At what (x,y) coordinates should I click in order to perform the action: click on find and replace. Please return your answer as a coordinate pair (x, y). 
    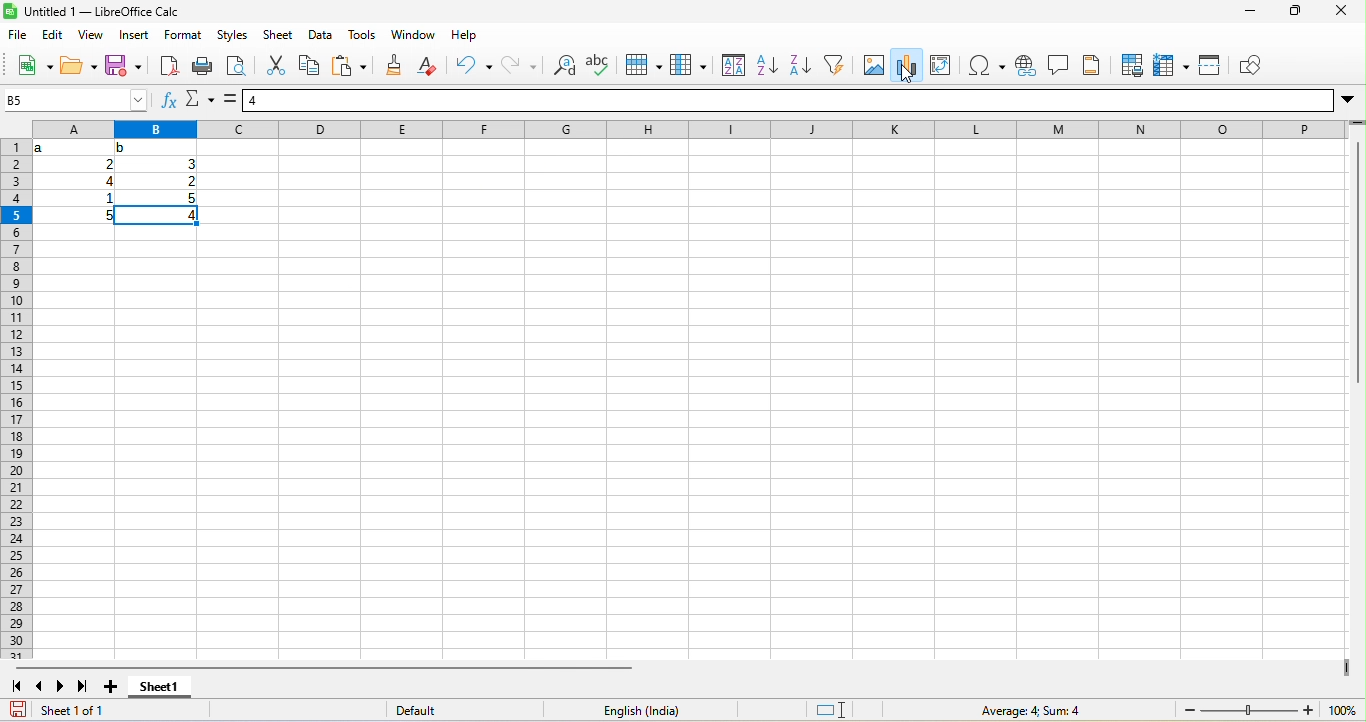
    Looking at the image, I should click on (563, 64).